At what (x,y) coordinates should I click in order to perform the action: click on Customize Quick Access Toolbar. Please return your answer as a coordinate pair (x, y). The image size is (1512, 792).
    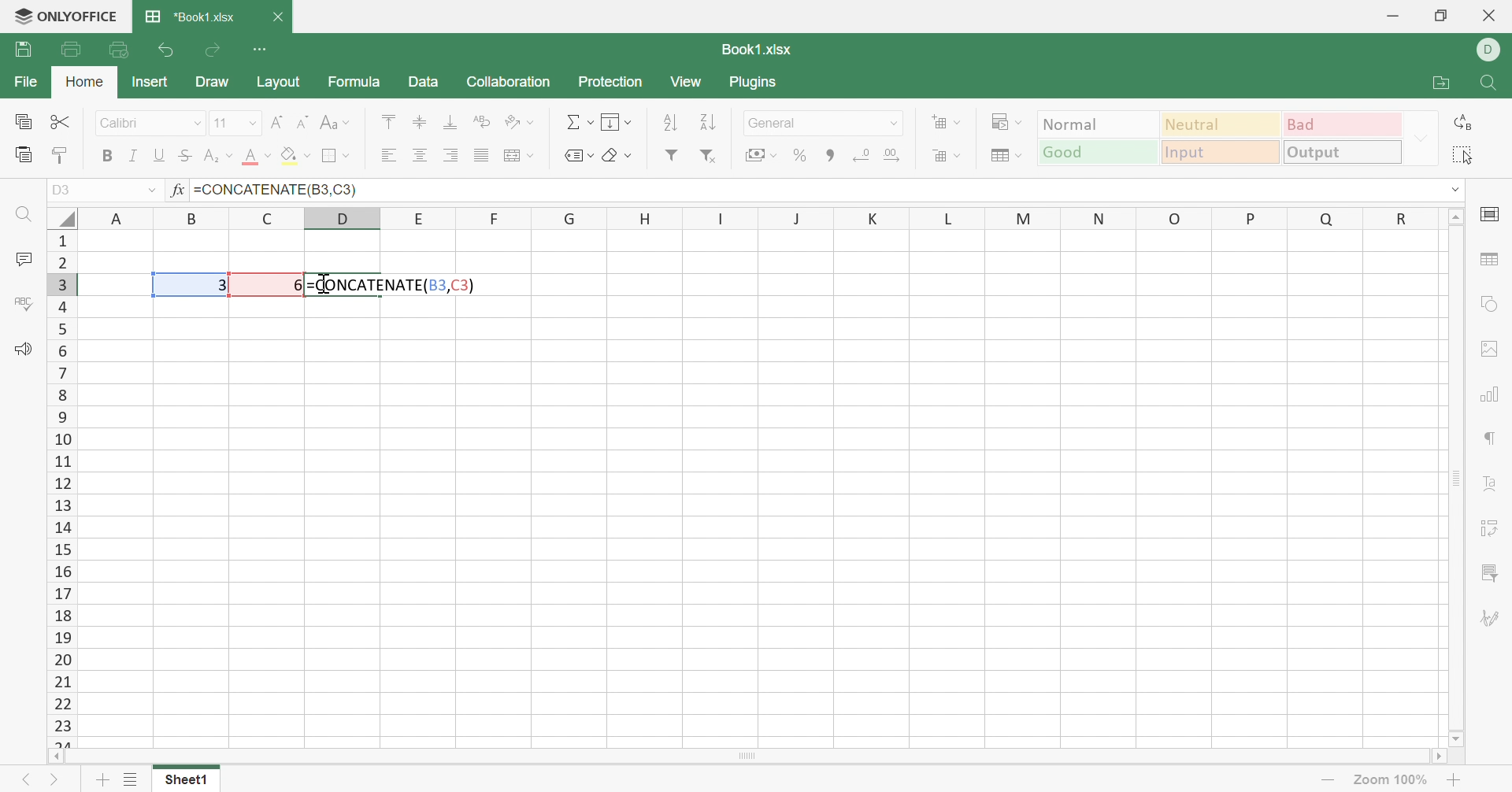
    Looking at the image, I should click on (258, 48).